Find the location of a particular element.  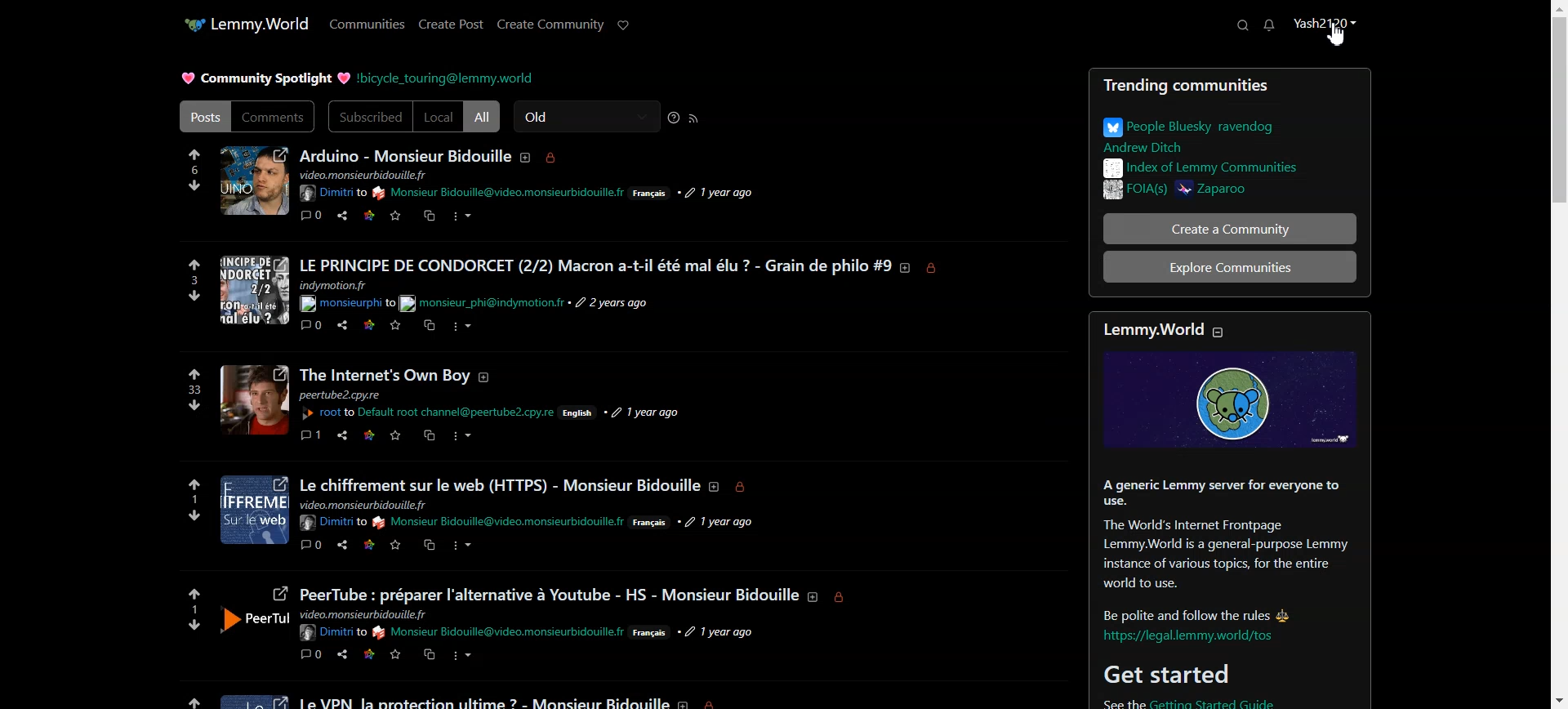

Comment is located at coordinates (312, 215).